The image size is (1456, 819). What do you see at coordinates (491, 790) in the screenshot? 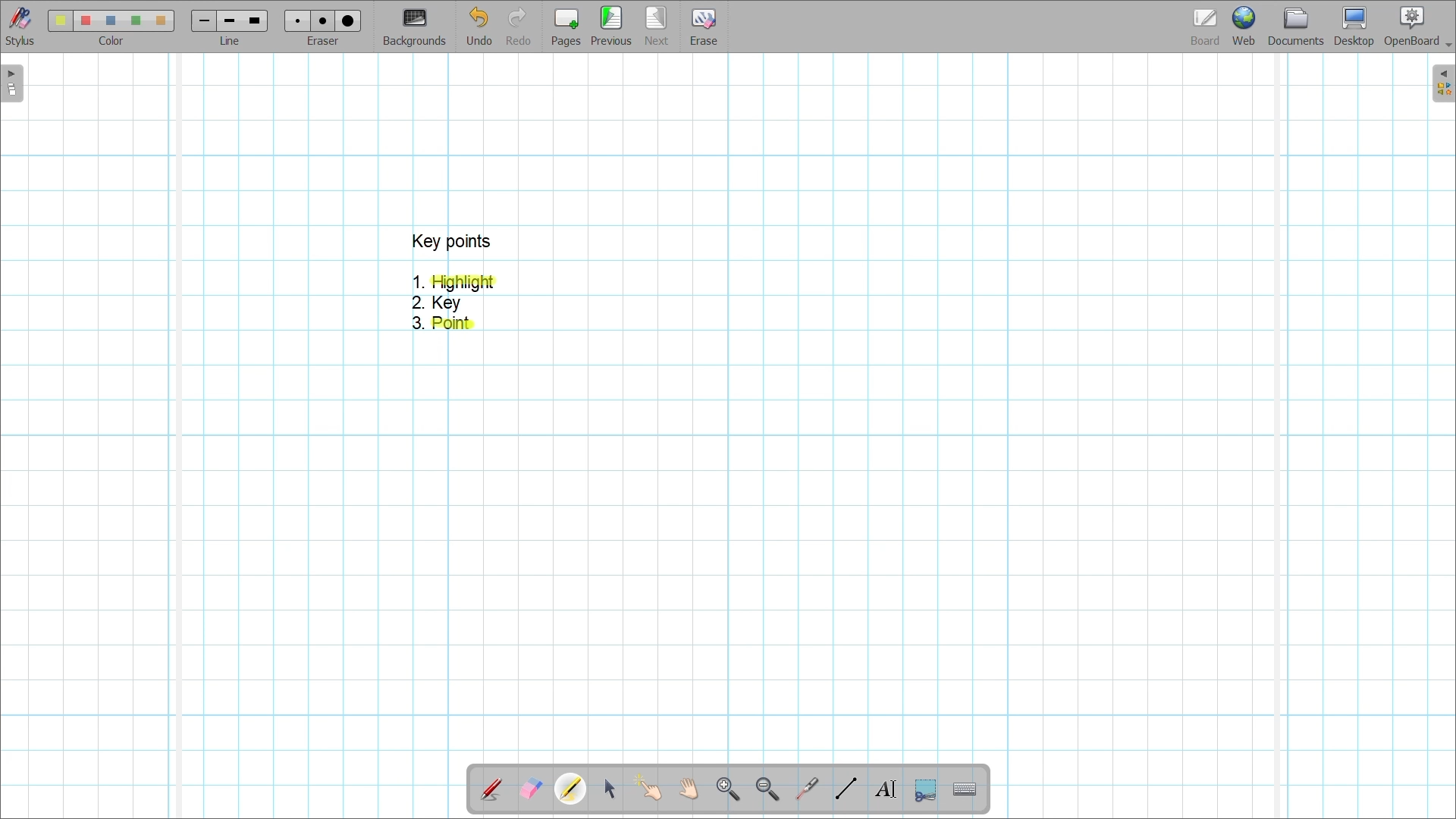
I see `Annotate document` at bounding box center [491, 790].